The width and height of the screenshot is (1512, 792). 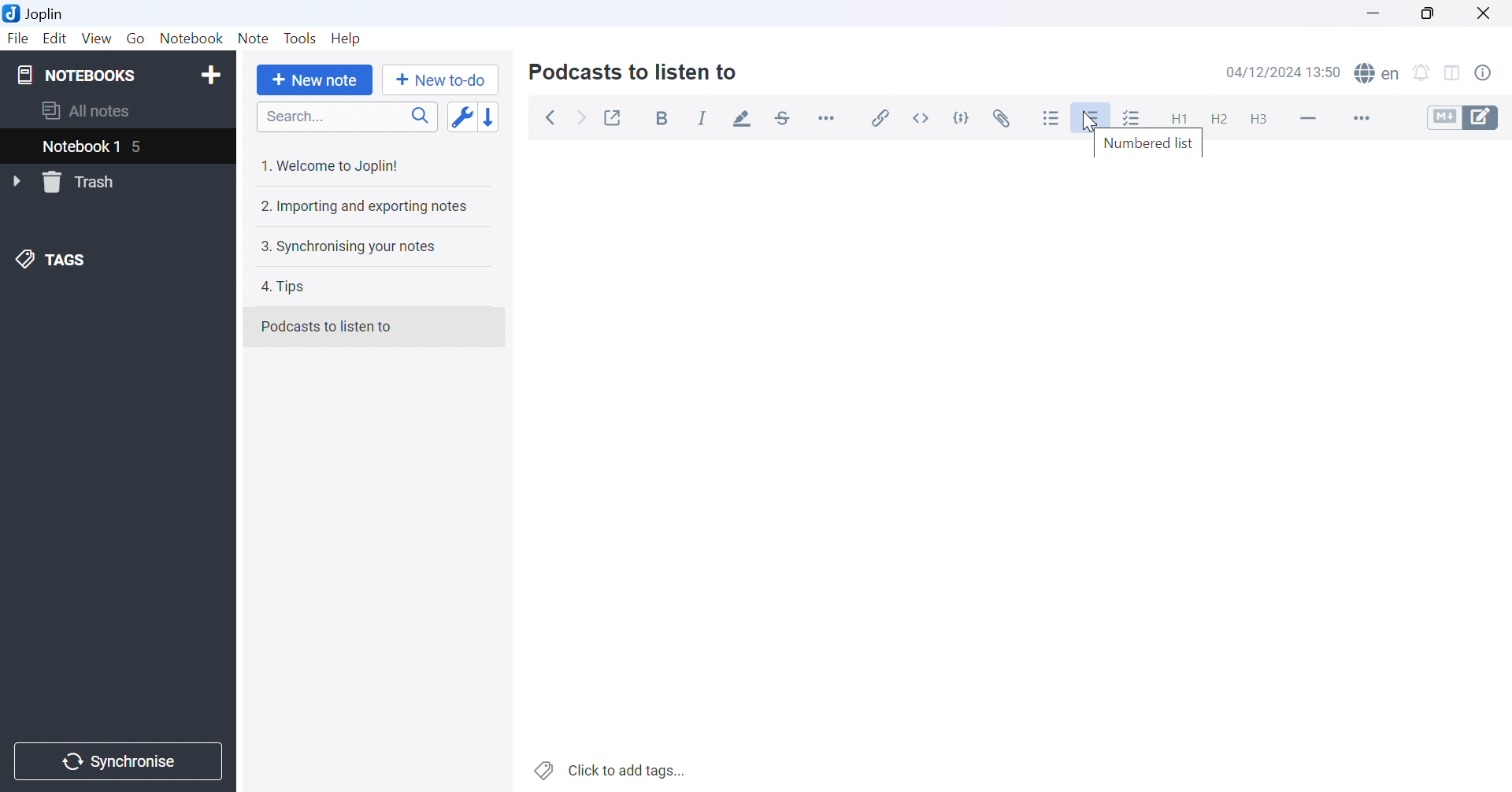 What do you see at coordinates (461, 117) in the screenshot?
I see `Toggle sort order field` at bounding box center [461, 117].